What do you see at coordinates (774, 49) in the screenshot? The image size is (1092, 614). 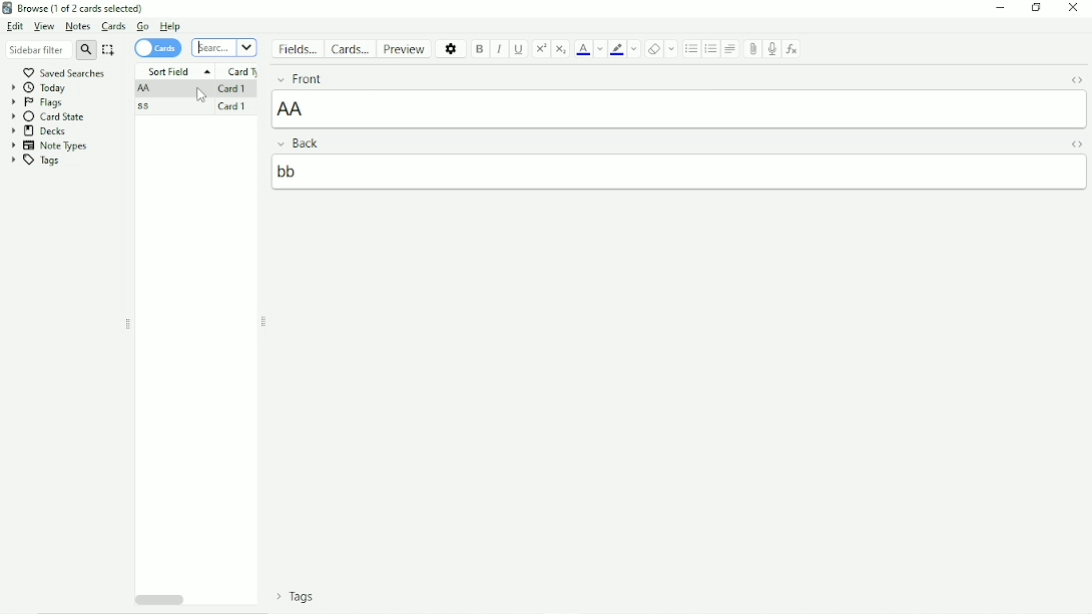 I see `Record audio` at bounding box center [774, 49].